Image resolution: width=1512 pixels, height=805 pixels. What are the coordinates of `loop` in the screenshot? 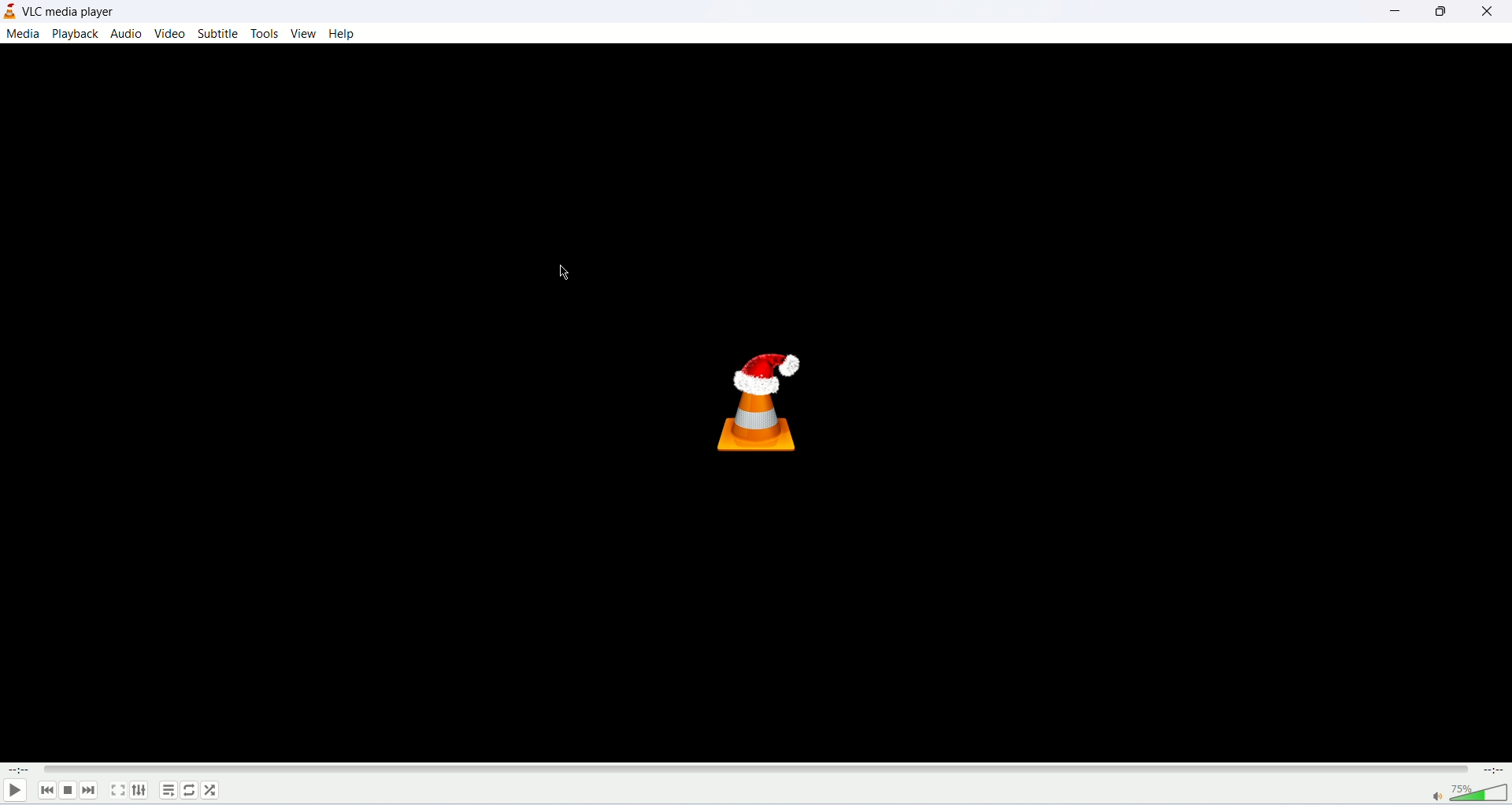 It's located at (187, 792).